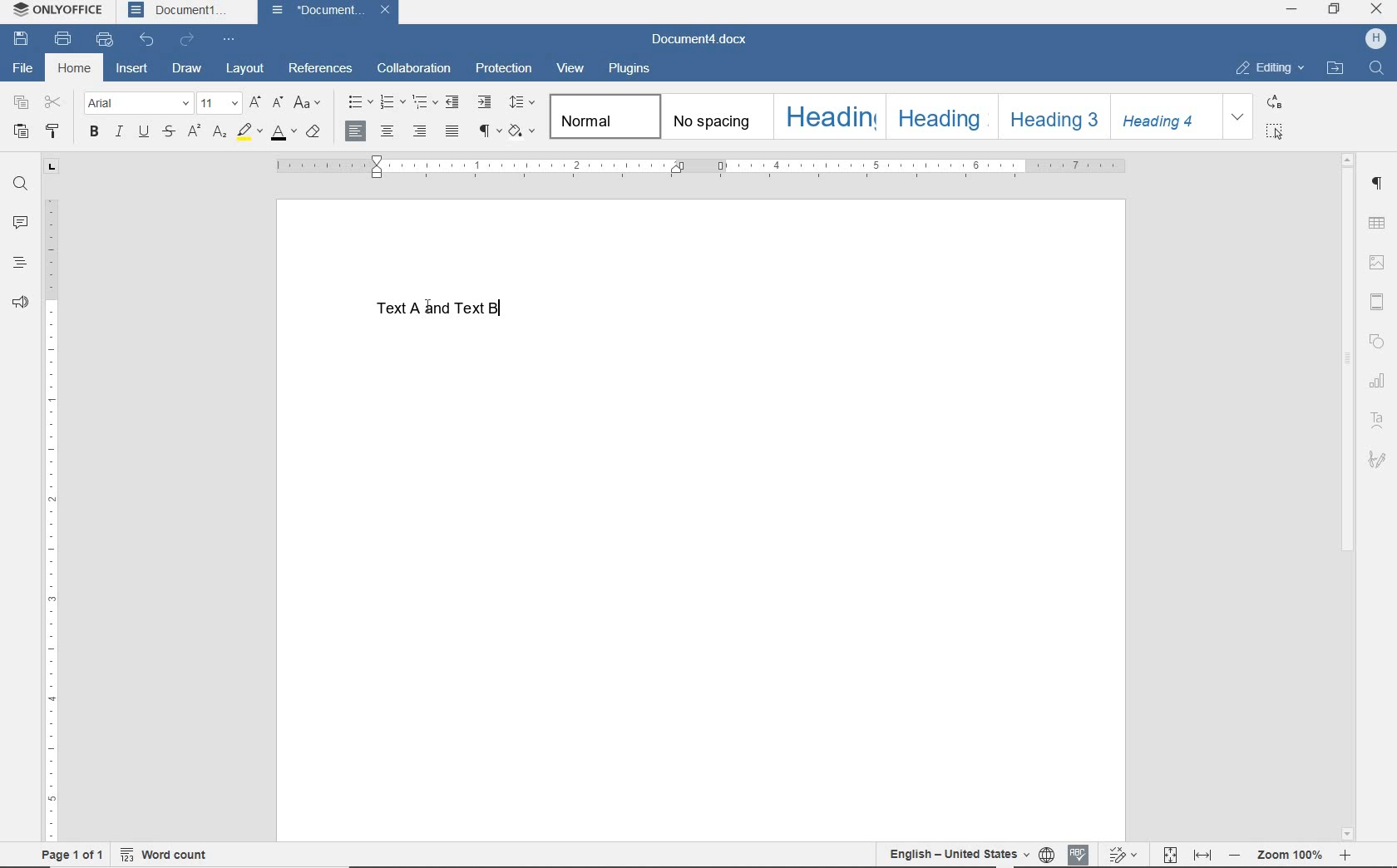  I want to click on DECREASE INDENT, so click(454, 102).